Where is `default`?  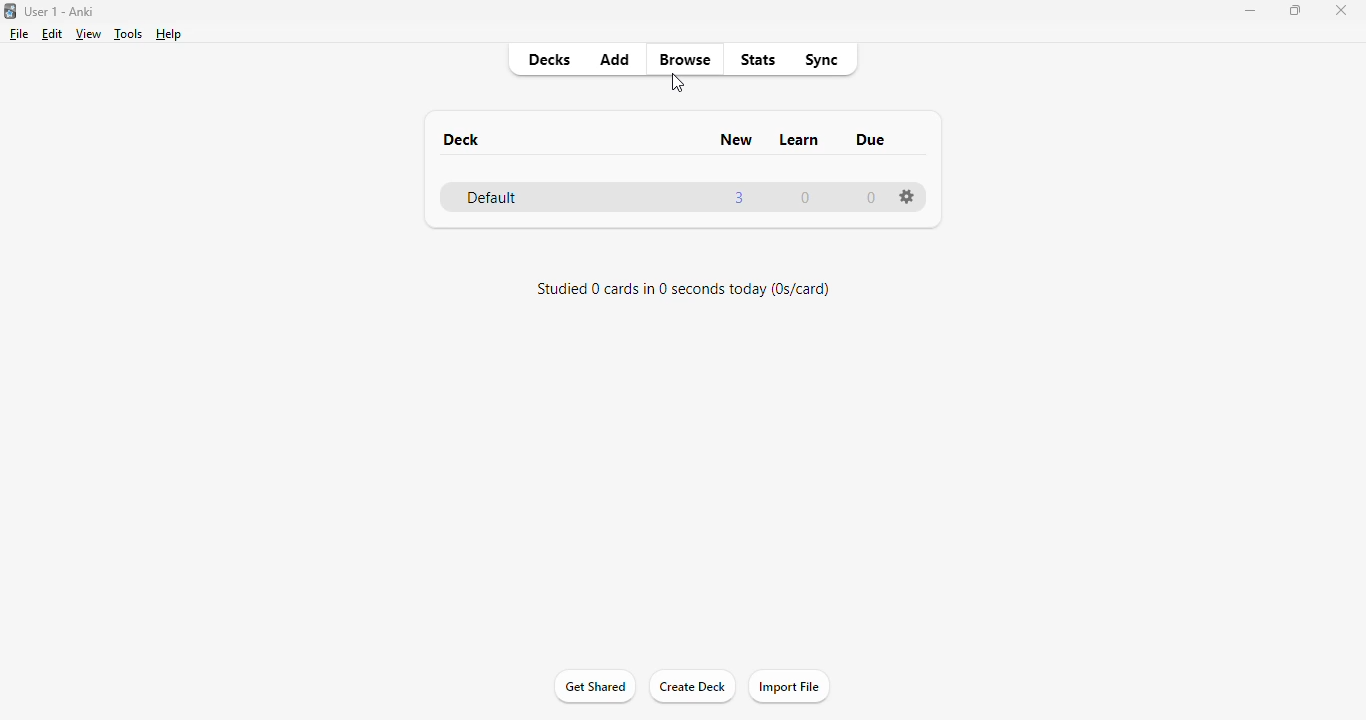 default is located at coordinates (492, 198).